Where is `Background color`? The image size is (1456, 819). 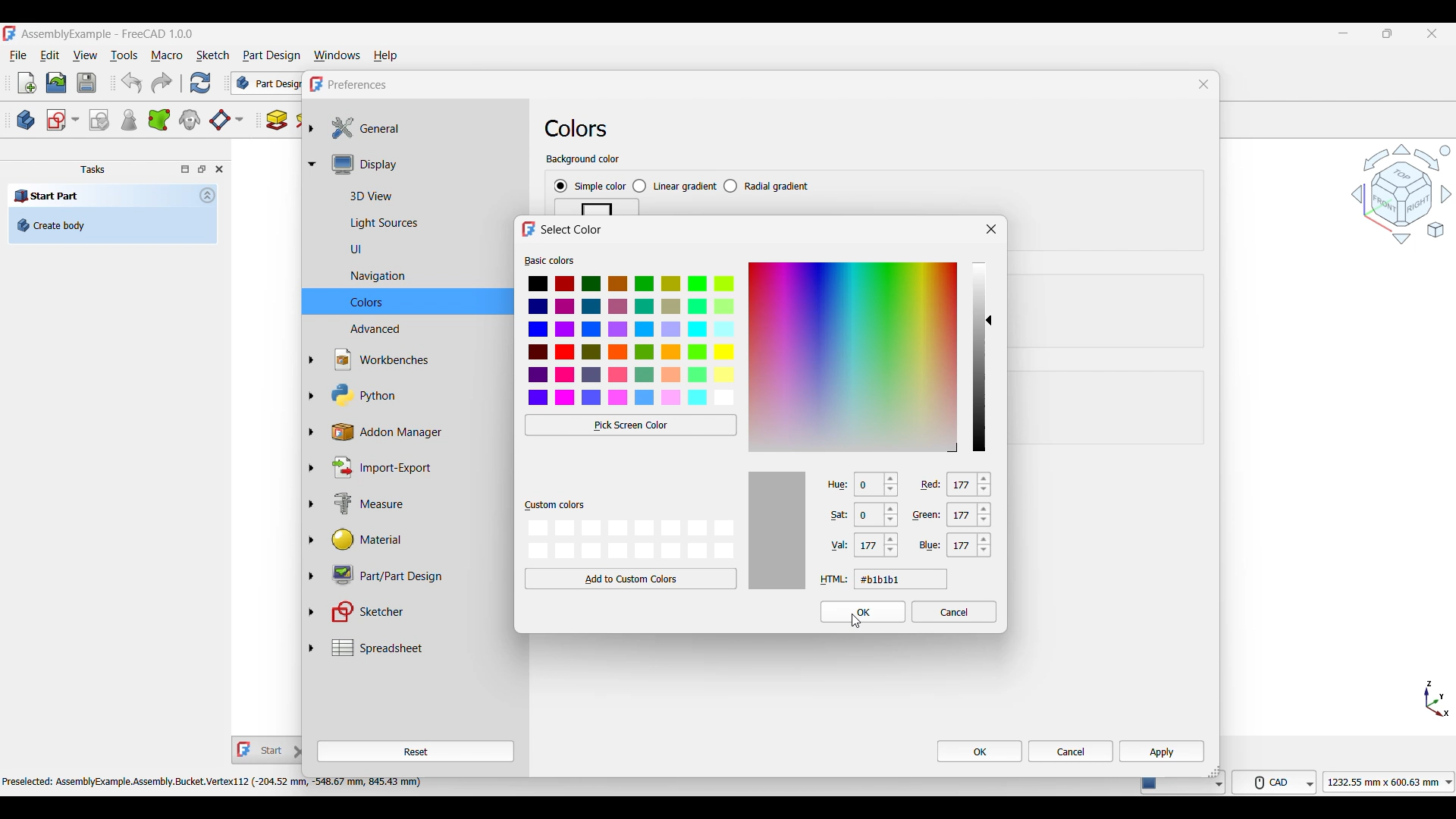
Background color is located at coordinates (583, 160).